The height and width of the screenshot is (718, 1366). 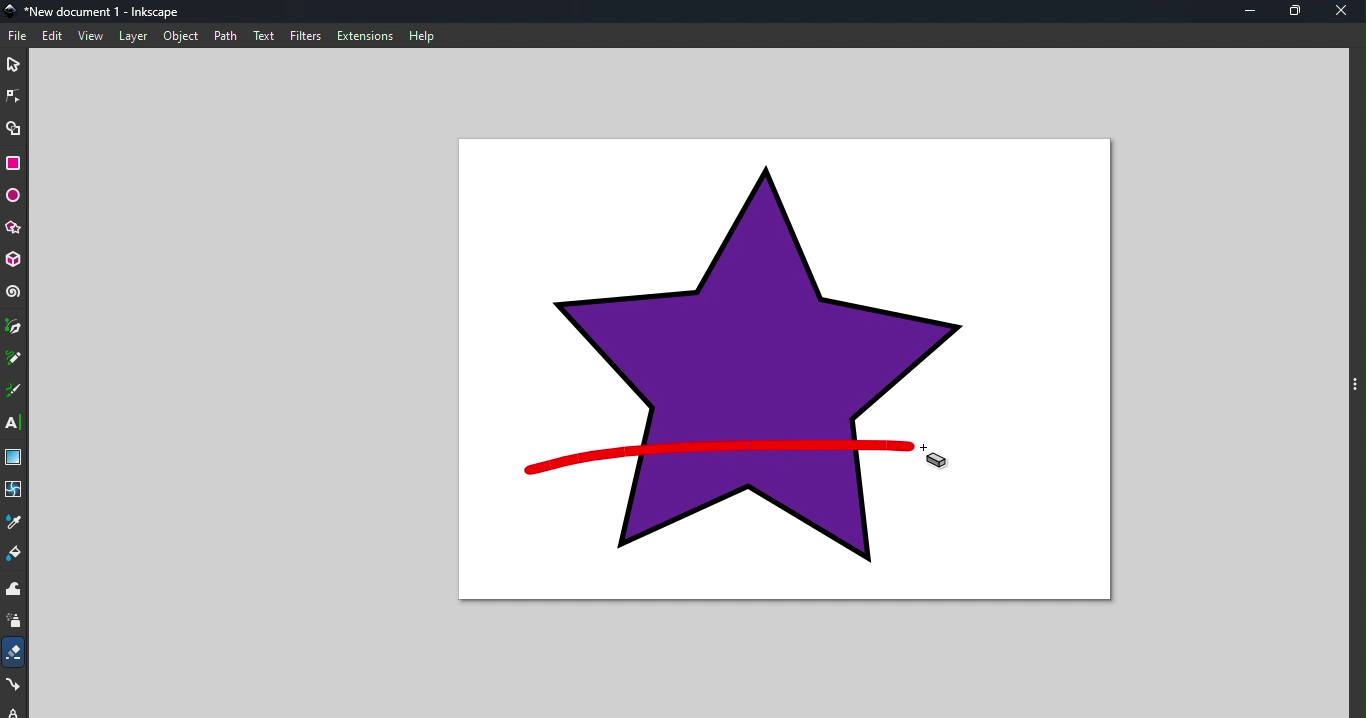 I want to click on file name, so click(x=98, y=10).